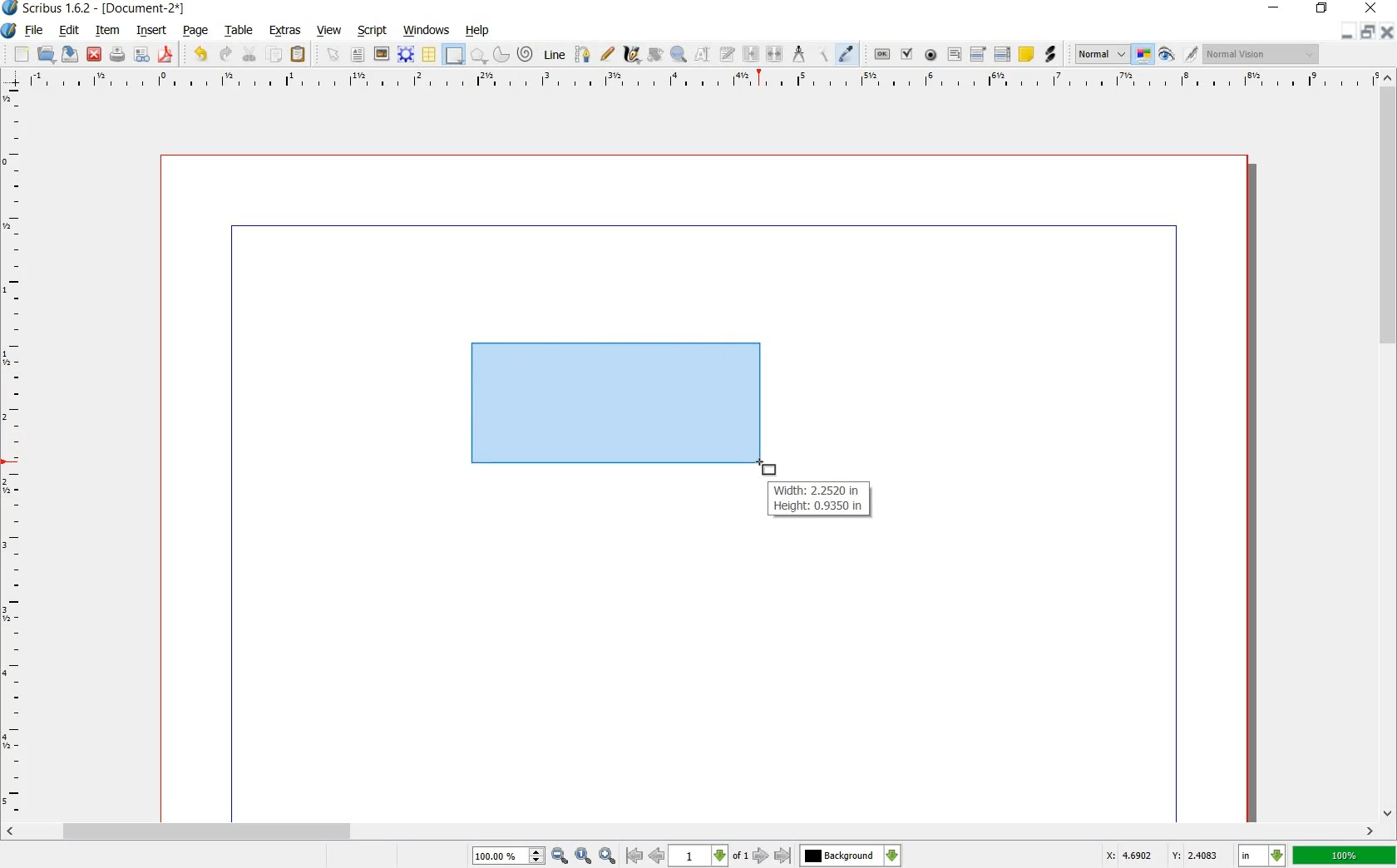  What do you see at coordinates (822, 55) in the screenshot?
I see `COPY ITEM PROPERTIES` at bounding box center [822, 55].